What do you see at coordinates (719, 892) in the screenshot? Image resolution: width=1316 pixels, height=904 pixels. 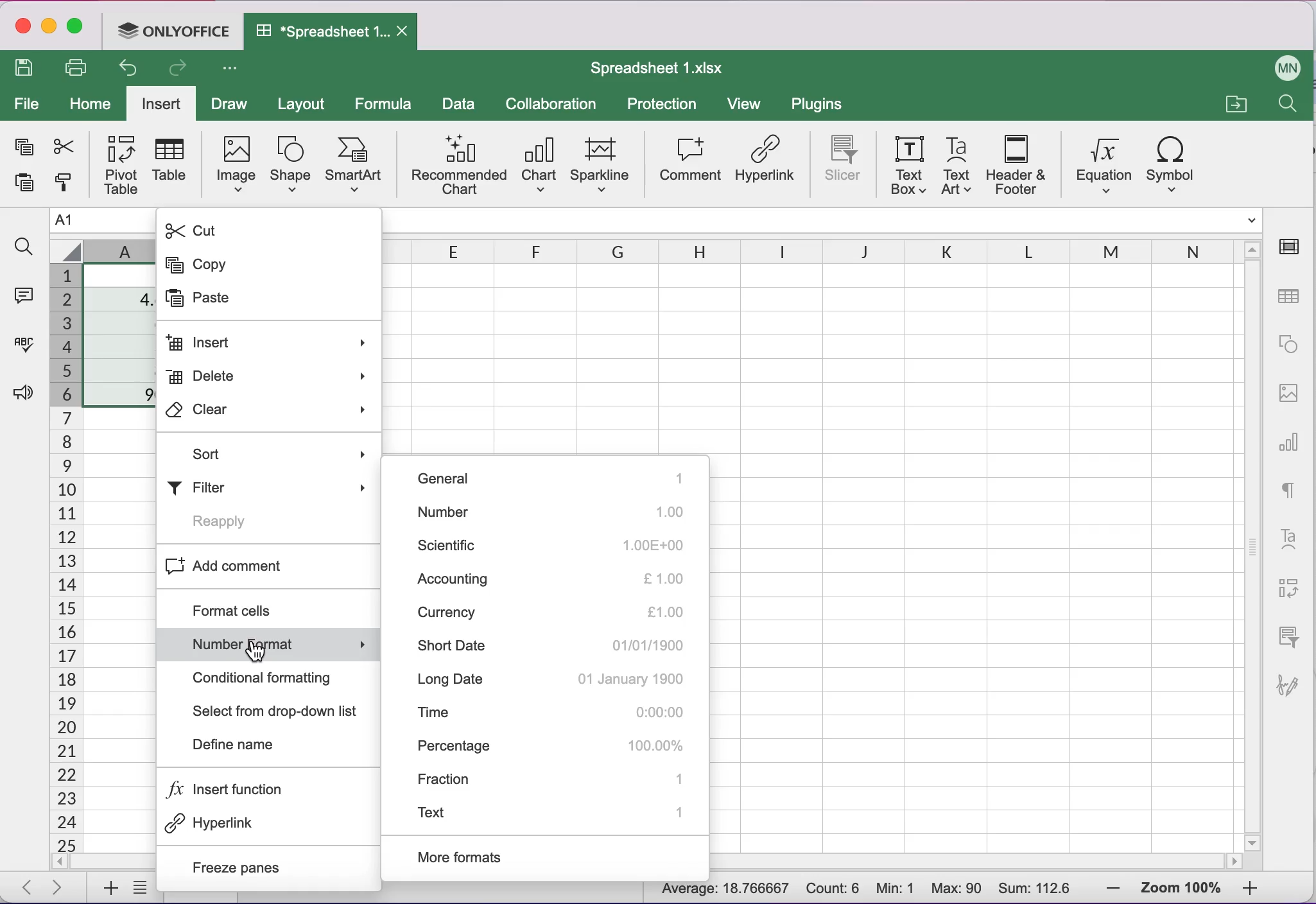 I see `Average: 18.766667` at bounding box center [719, 892].